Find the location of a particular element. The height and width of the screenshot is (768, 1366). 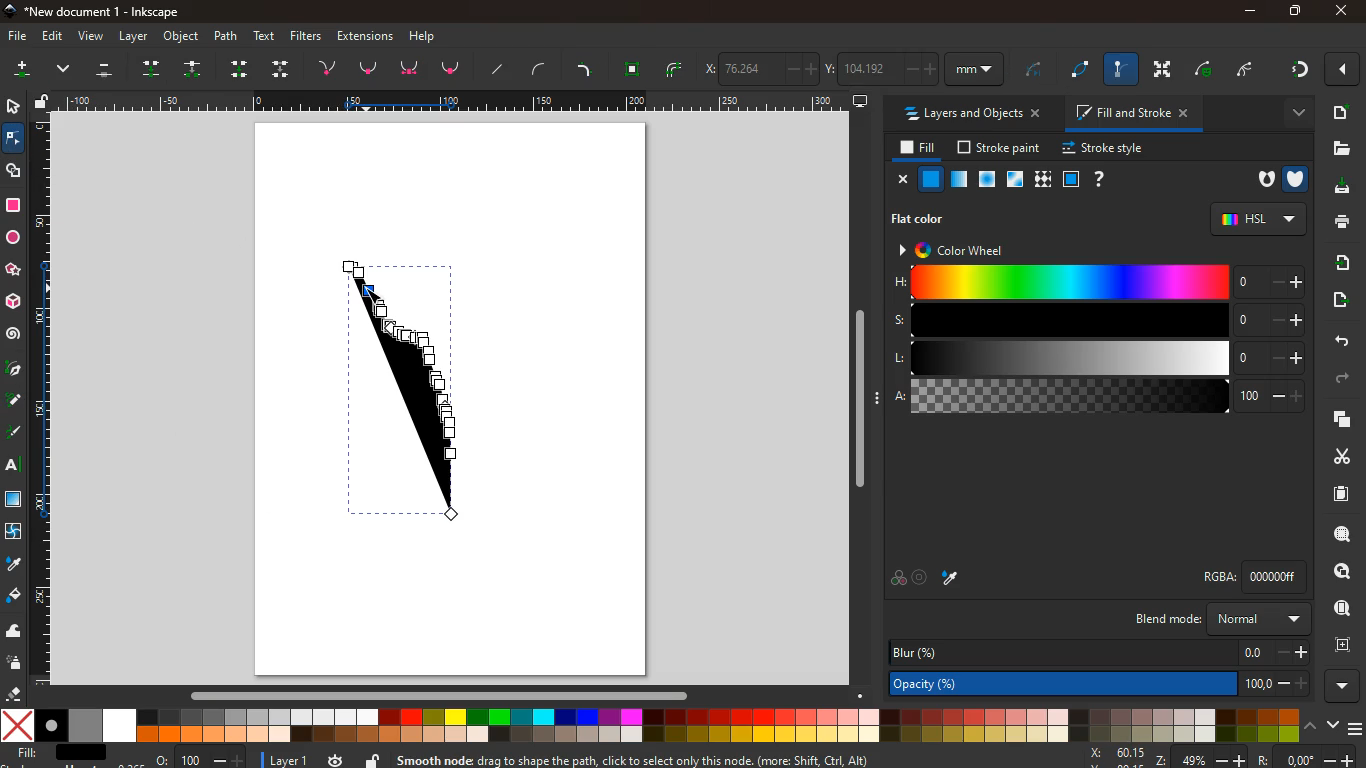

hole is located at coordinates (1262, 181).